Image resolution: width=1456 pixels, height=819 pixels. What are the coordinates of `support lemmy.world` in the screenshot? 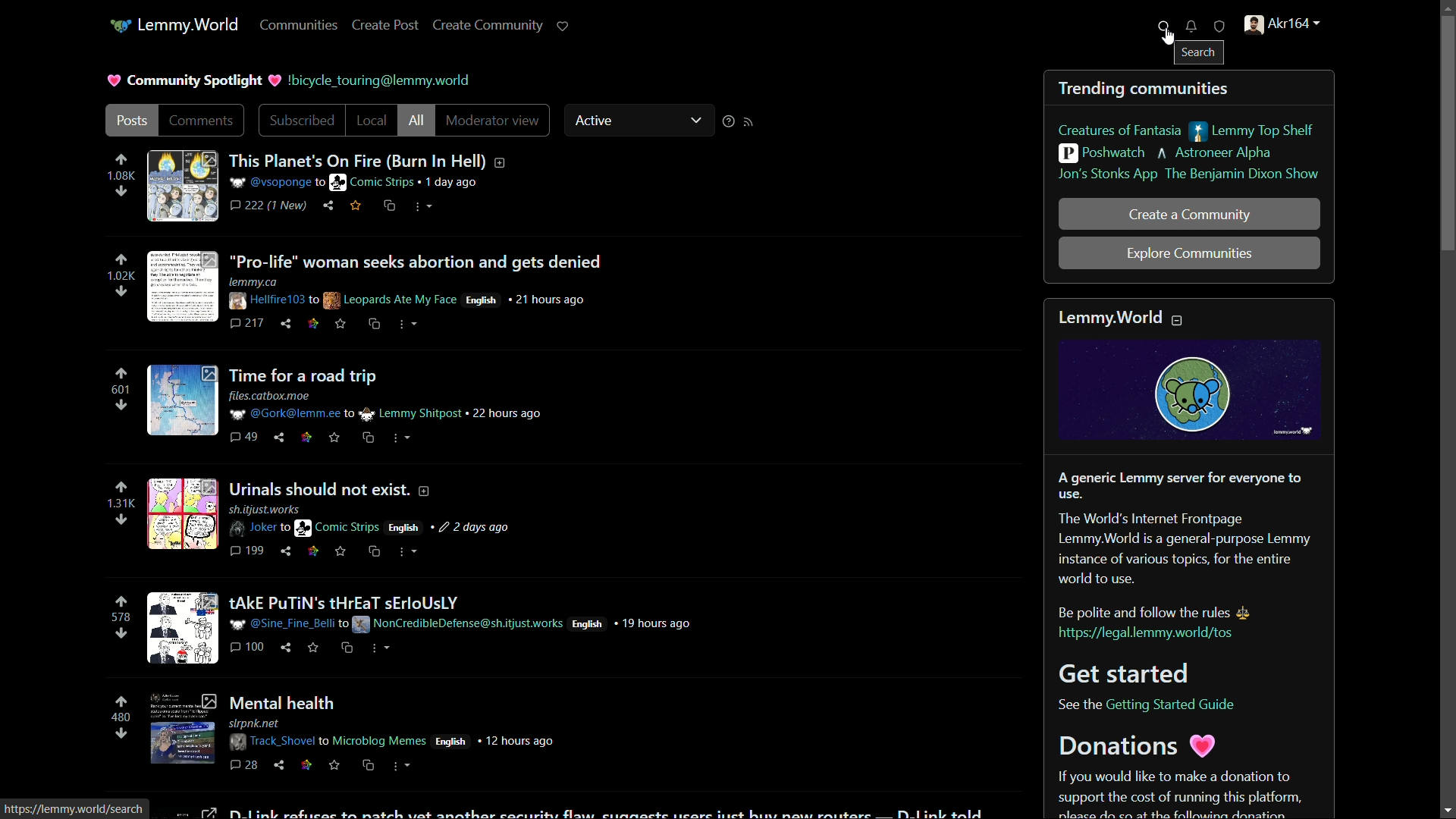 It's located at (562, 27).